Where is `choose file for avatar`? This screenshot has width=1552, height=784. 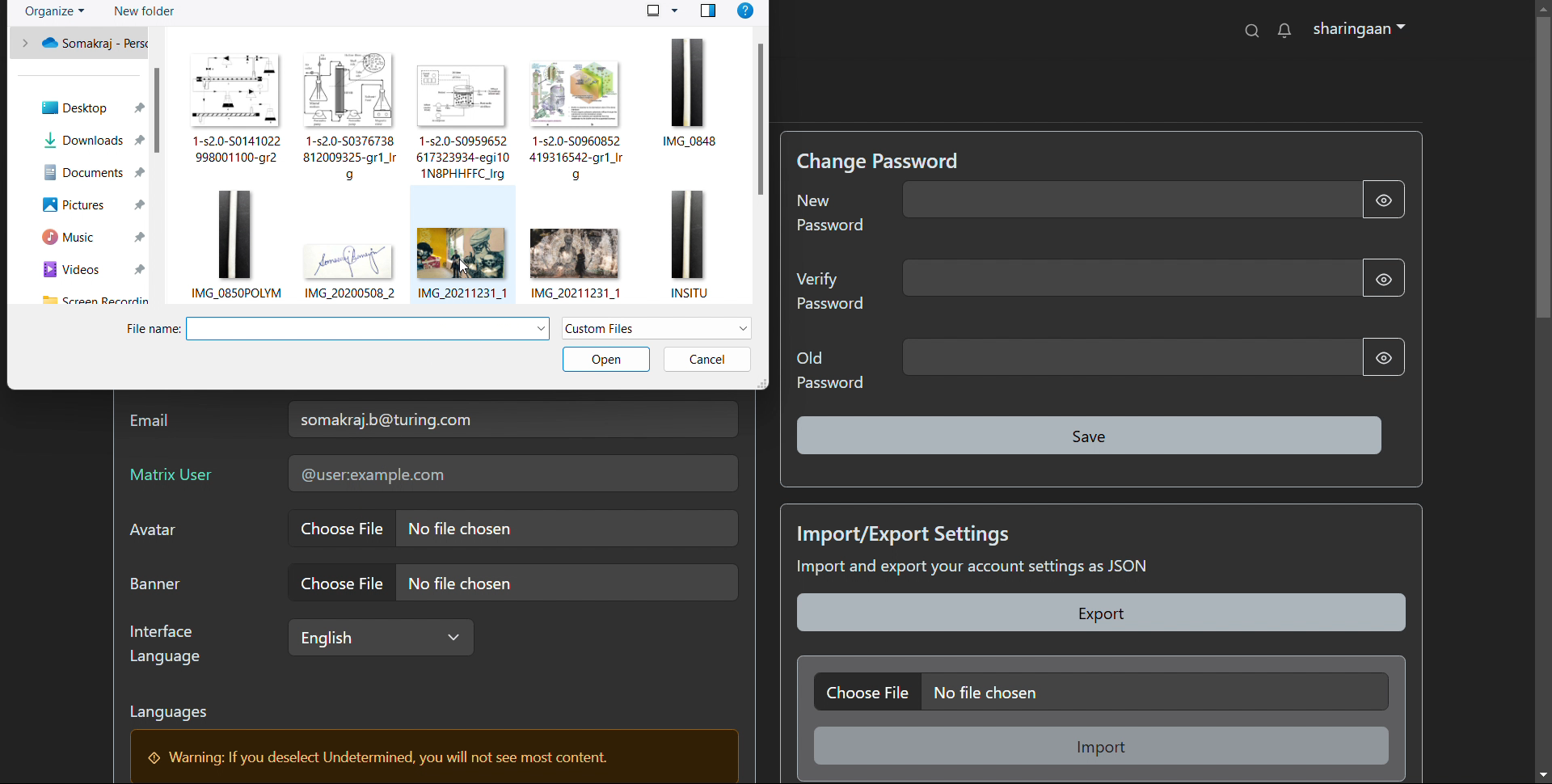 choose file for avatar is located at coordinates (512, 528).